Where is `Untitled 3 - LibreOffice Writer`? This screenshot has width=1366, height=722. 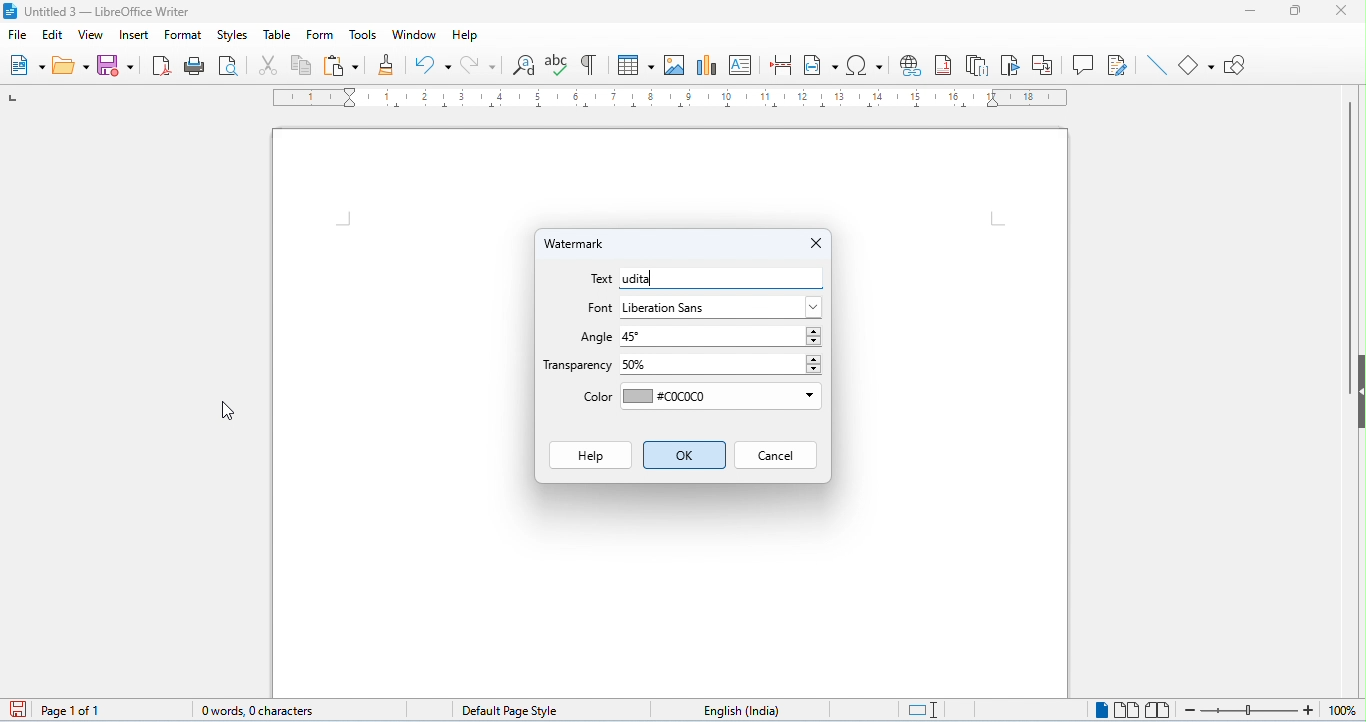 Untitled 3 - LibreOffice Writer is located at coordinates (108, 12).